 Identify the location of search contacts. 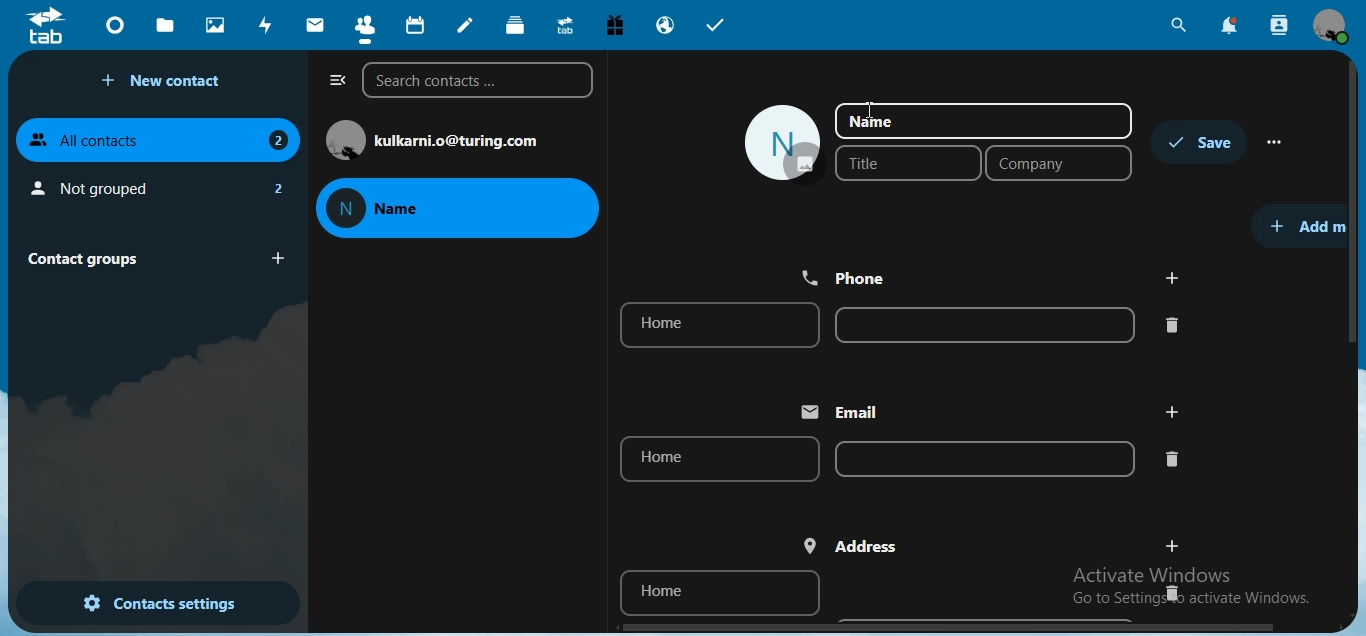
(476, 82).